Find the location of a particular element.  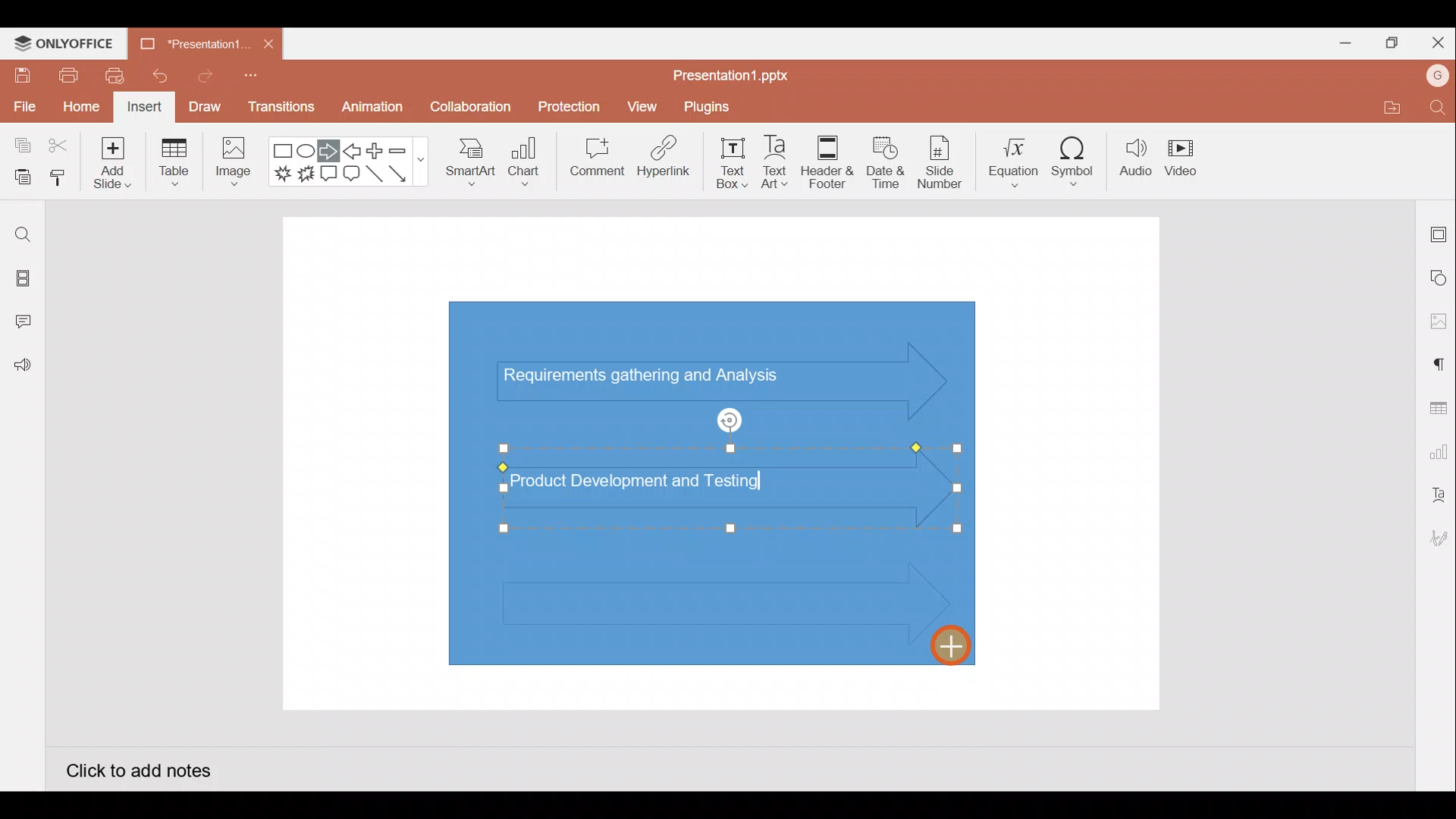

Rounded Rectangular callout is located at coordinates (351, 171).